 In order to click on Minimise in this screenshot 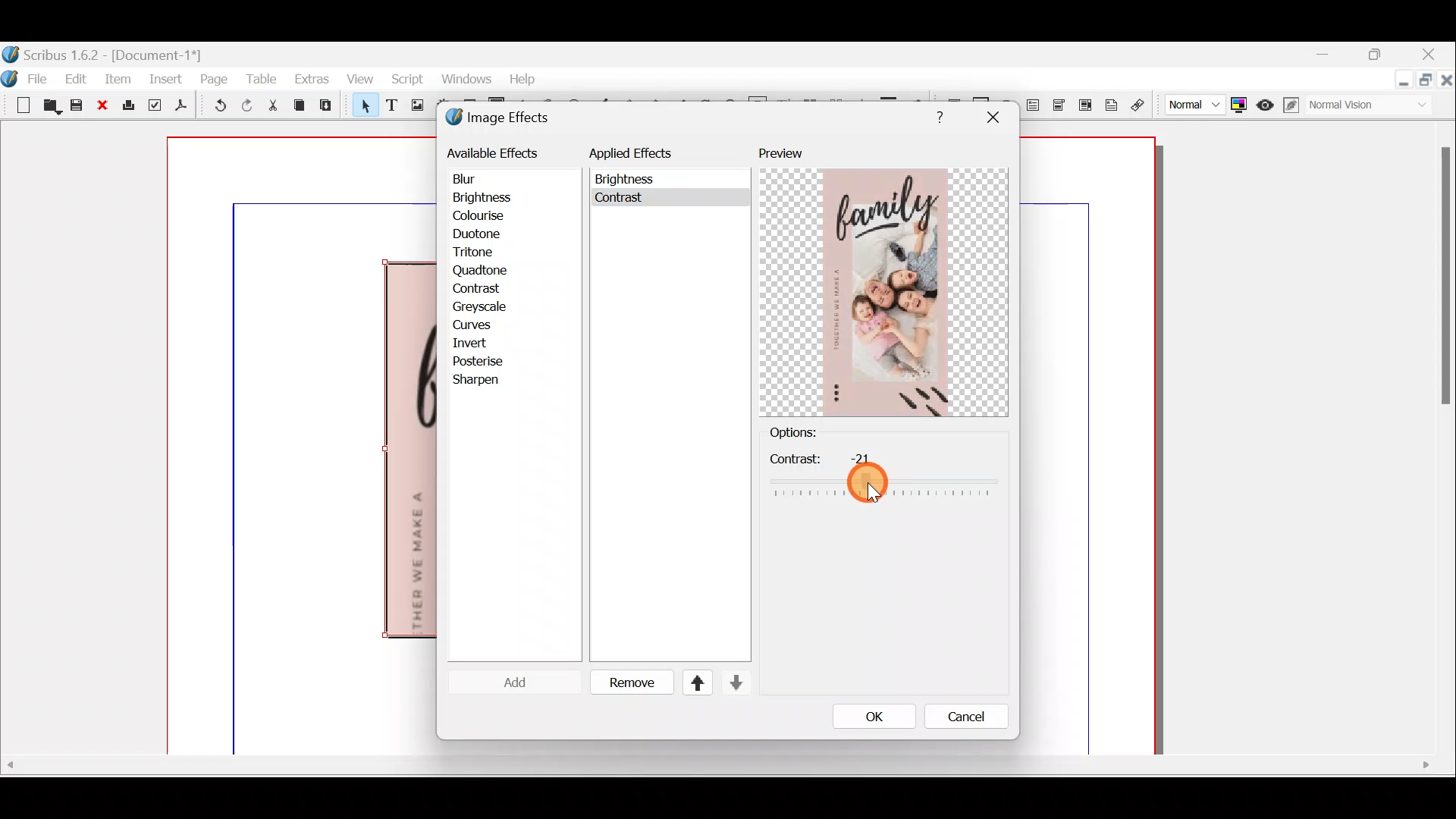, I will do `click(1329, 55)`.